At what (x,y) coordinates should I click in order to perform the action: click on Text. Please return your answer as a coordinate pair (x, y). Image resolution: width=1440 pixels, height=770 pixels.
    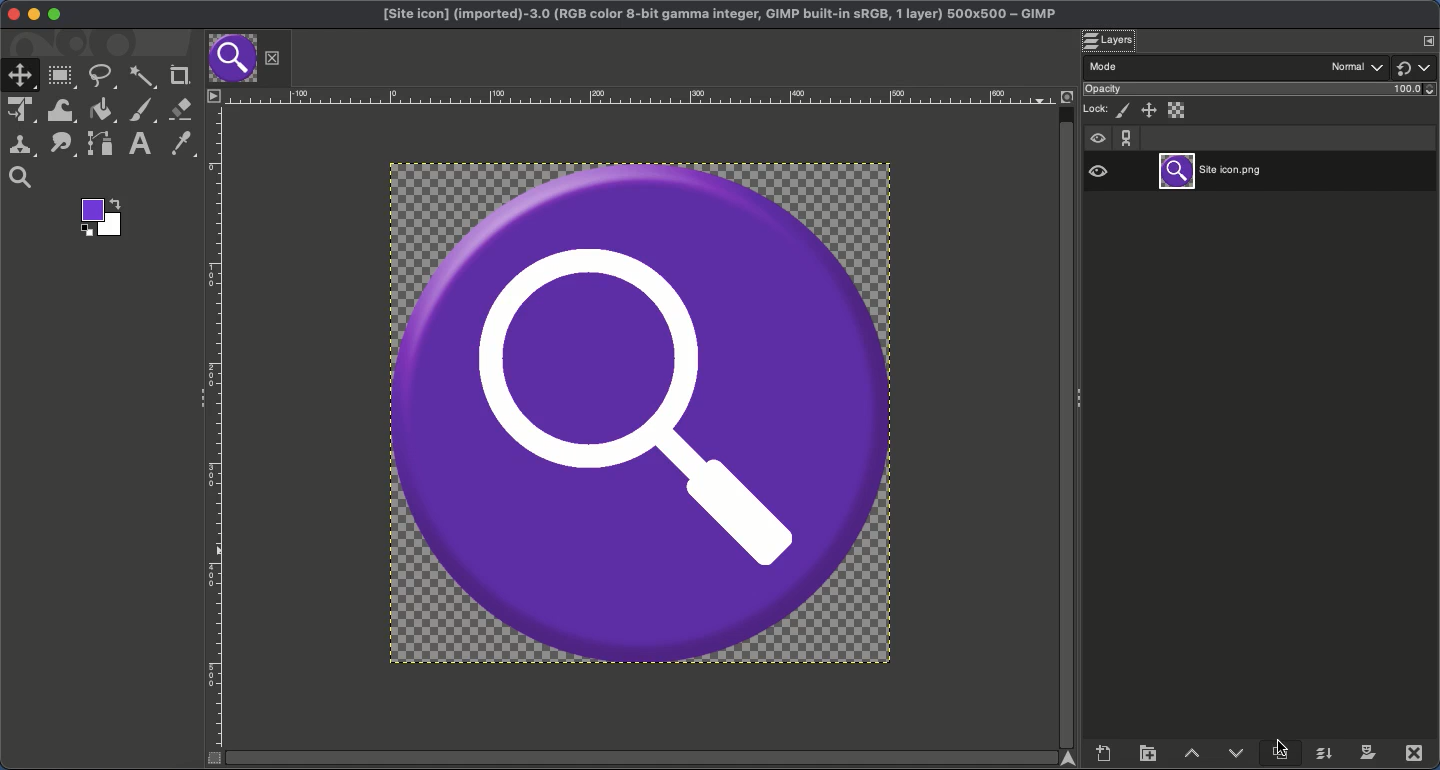
    Looking at the image, I should click on (137, 145).